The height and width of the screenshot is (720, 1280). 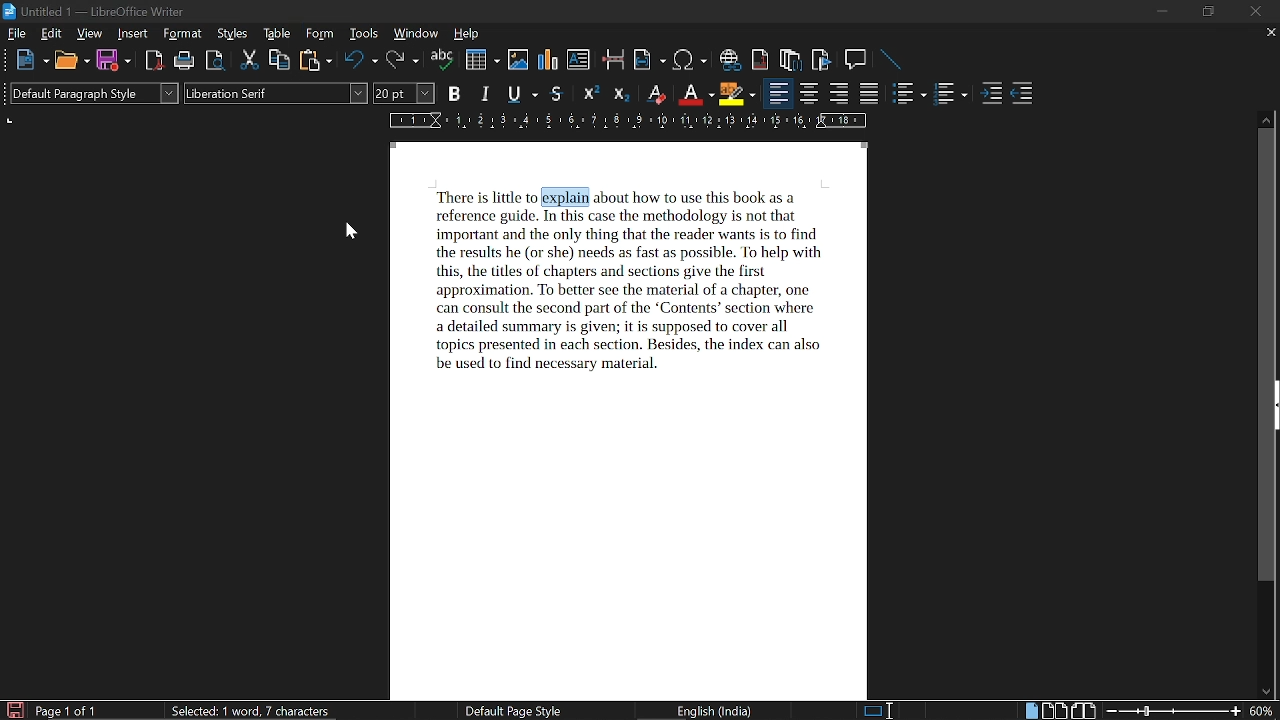 What do you see at coordinates (696, 95) in the screenshot?
I see `text color` at bounding box center [696, 95].